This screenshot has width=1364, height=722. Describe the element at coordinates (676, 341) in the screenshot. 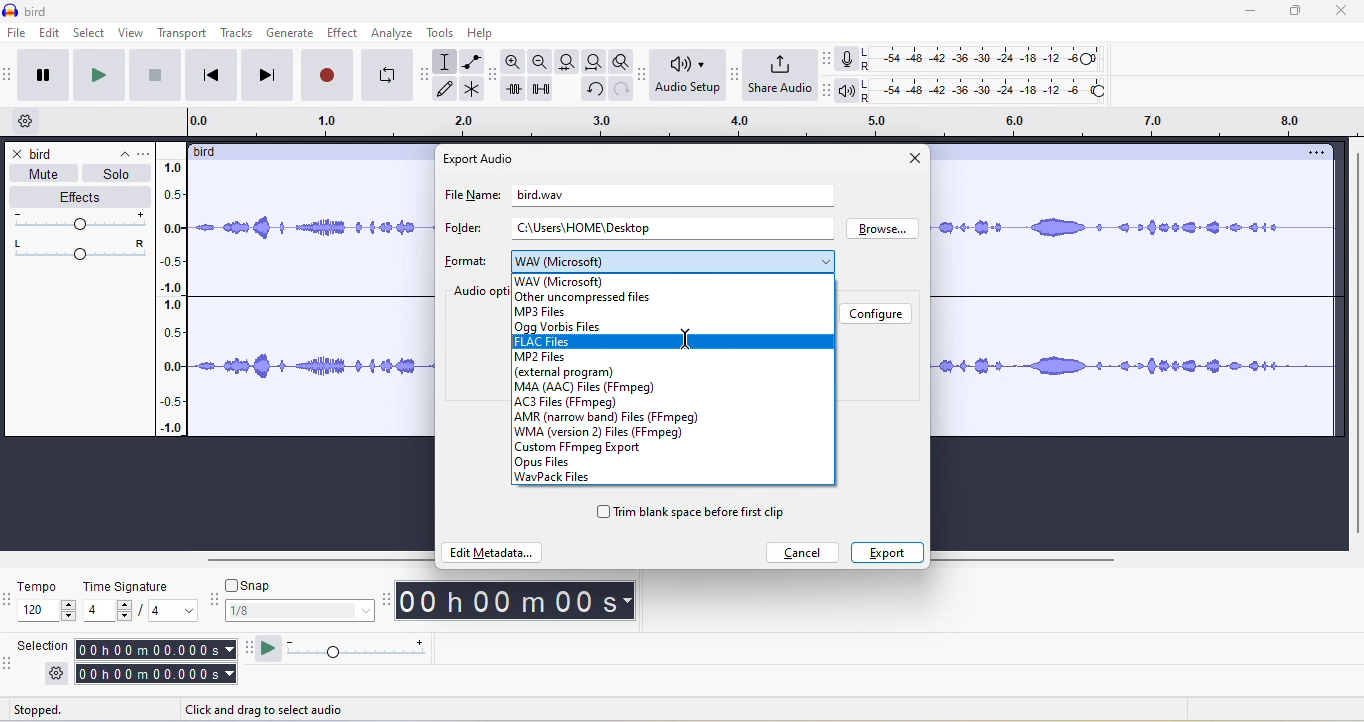

I see `flac files` at that location.